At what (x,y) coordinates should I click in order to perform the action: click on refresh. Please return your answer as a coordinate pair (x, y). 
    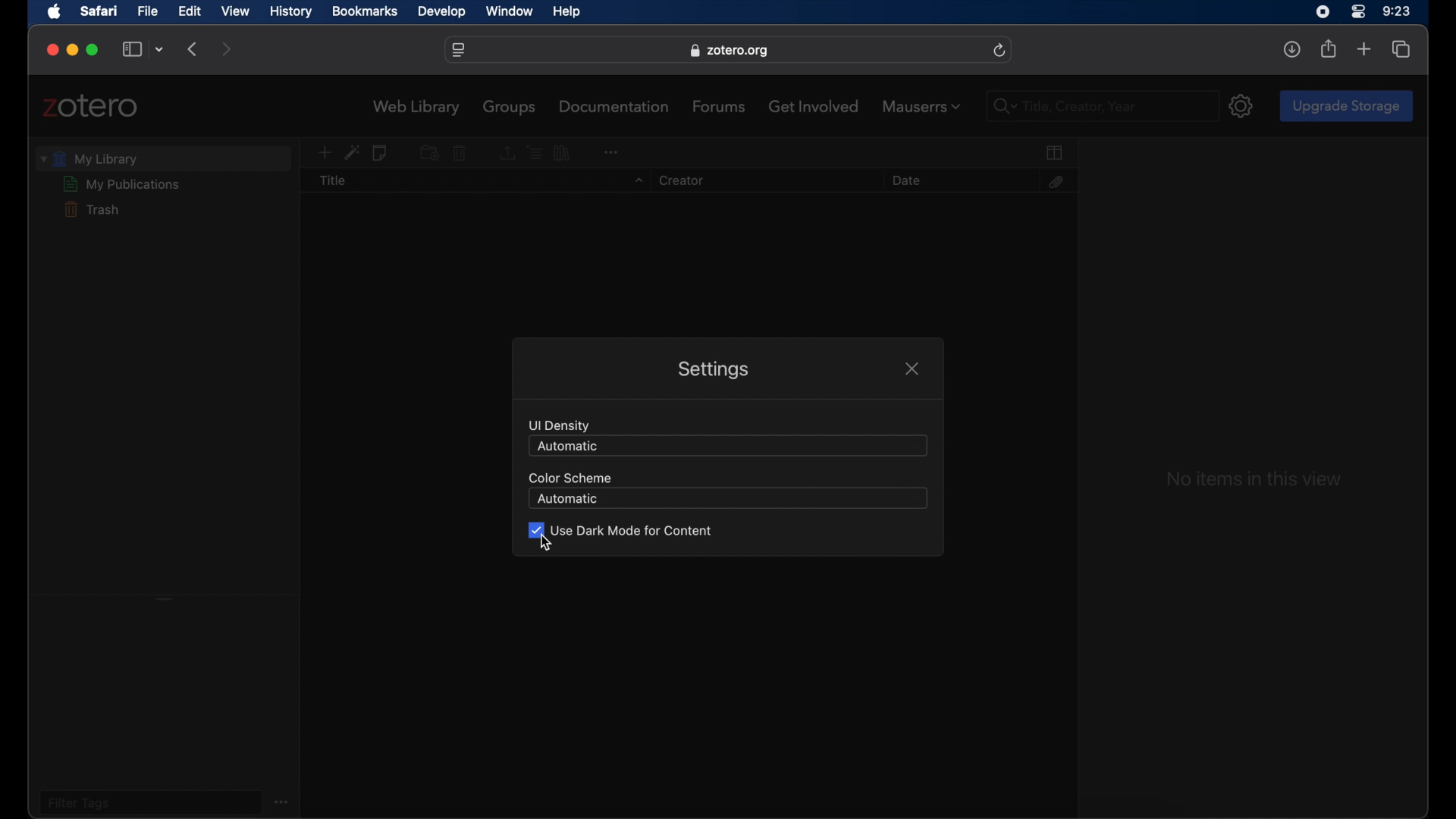
    Looking at the image, I should click on (1000, 51).